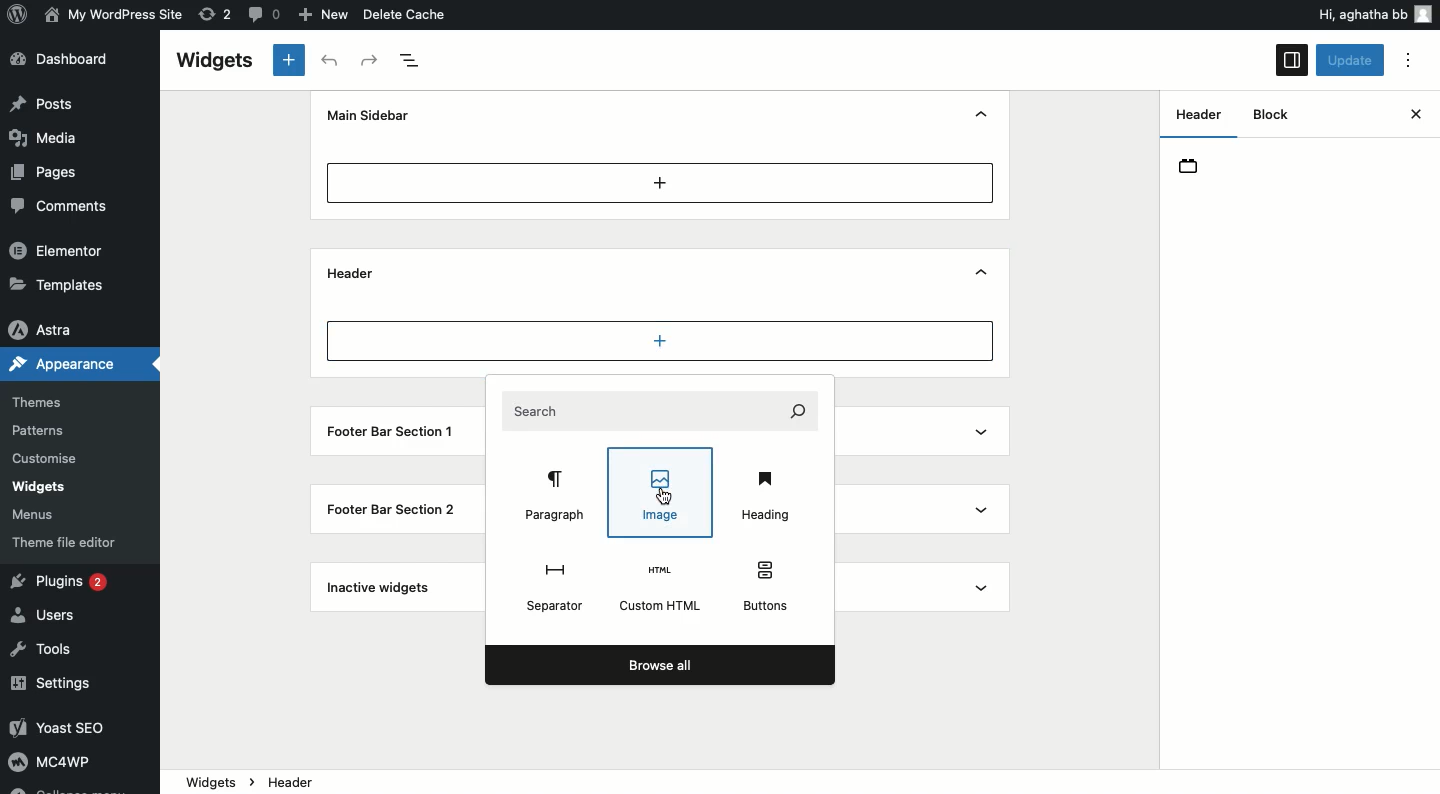  What do you see at coordinates (371, 61) in the screenshot?
I see `Redo` at bounding box center [371, 61].